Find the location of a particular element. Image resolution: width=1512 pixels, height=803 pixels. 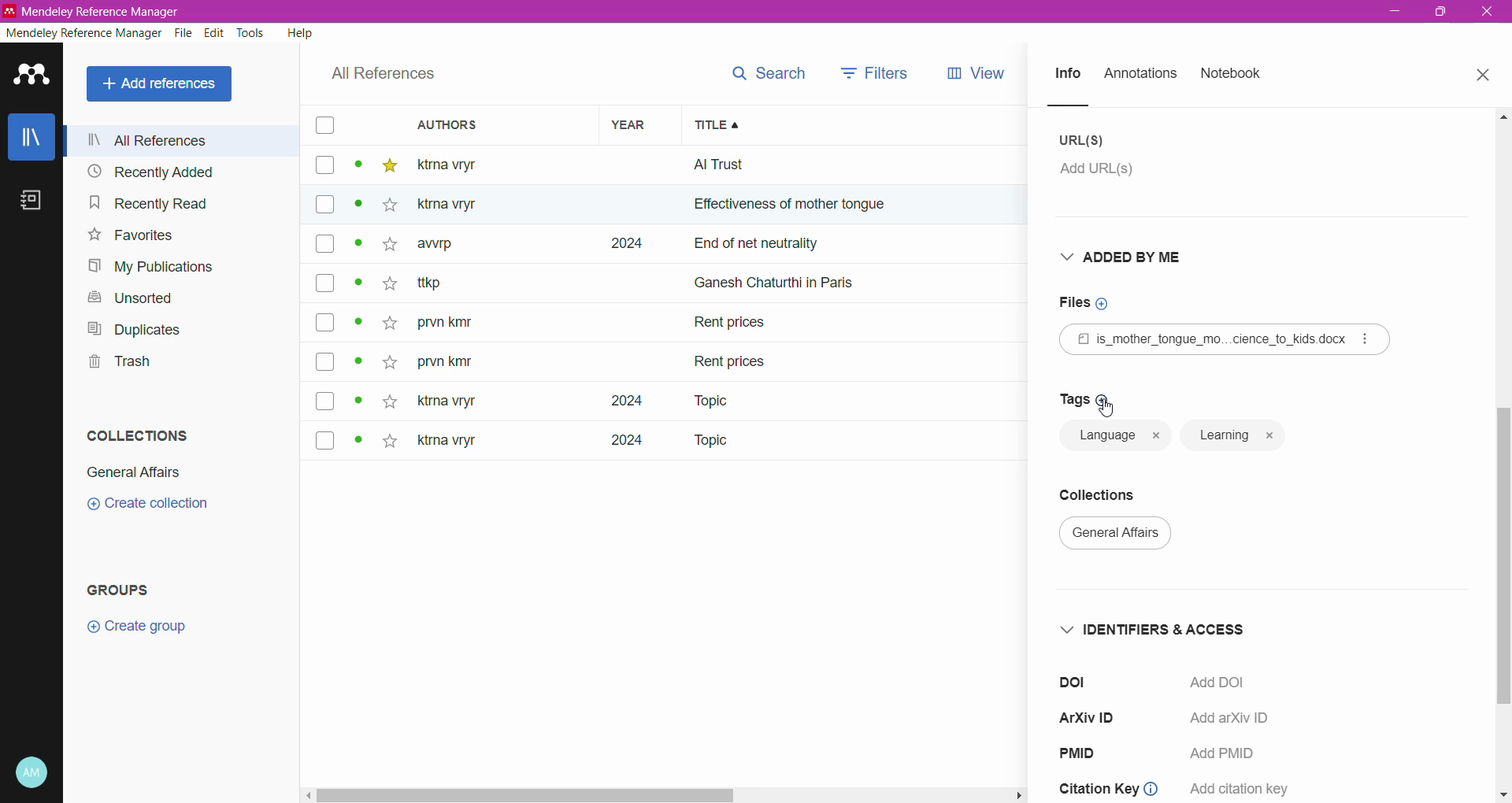

File is located at coordinates (185, 33).